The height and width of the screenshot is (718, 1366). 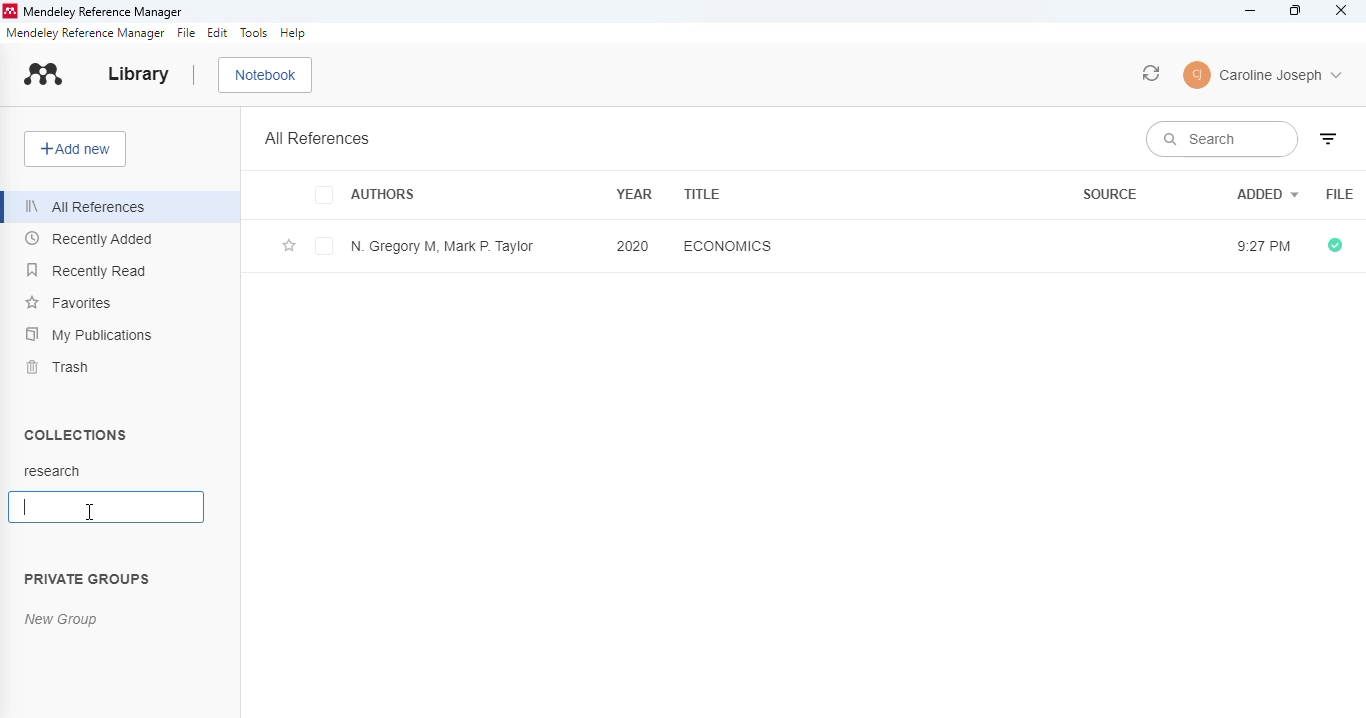 What do you see at coordinates (1221, 139) in the screenshot?
I see `search` at bounding box center [1221, 139].